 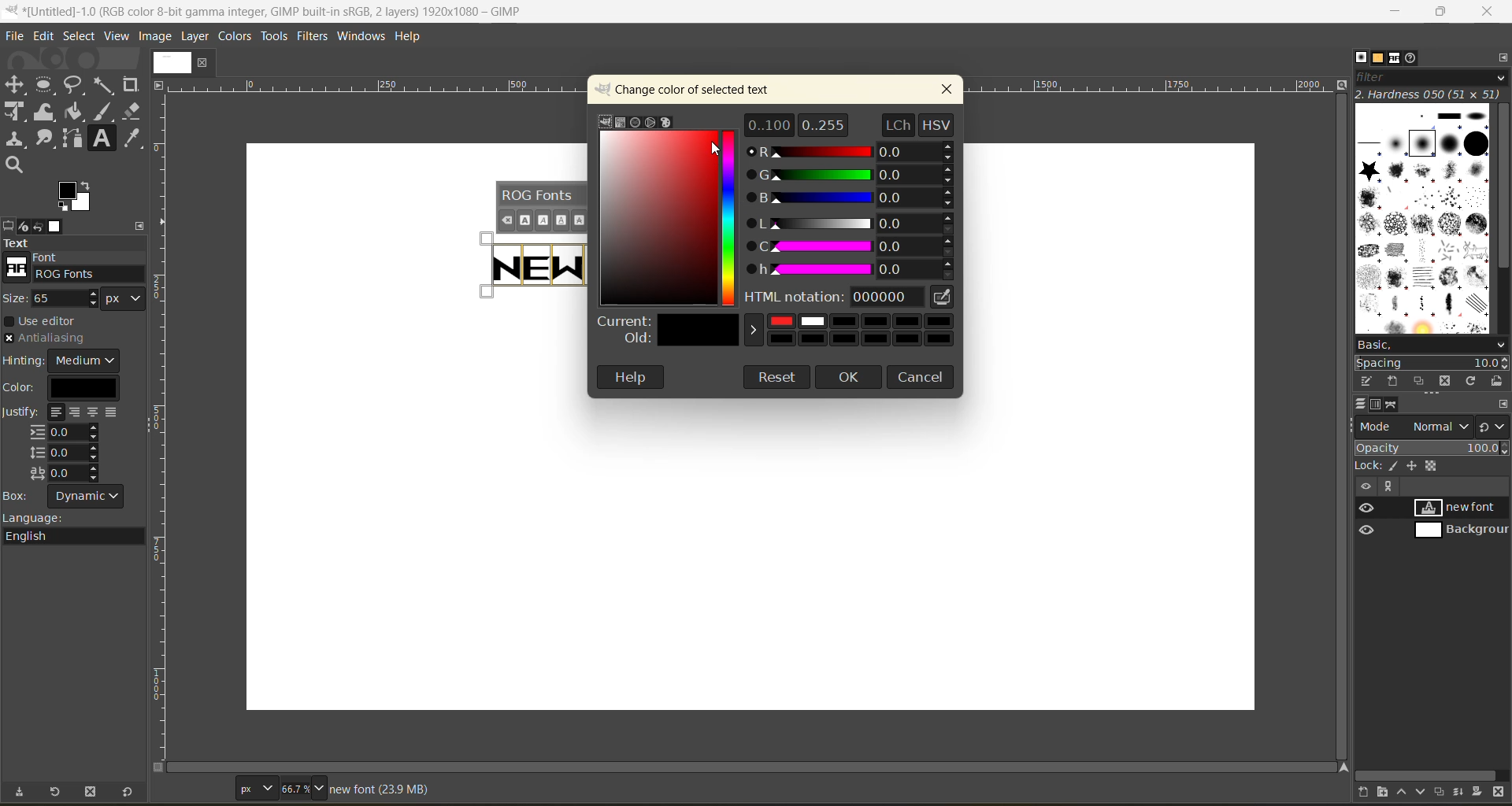 What do you see at coordinates (1427, 775) in the screenshot?
I see `horizontal scroll bar` at bounding box center [1427, 775].